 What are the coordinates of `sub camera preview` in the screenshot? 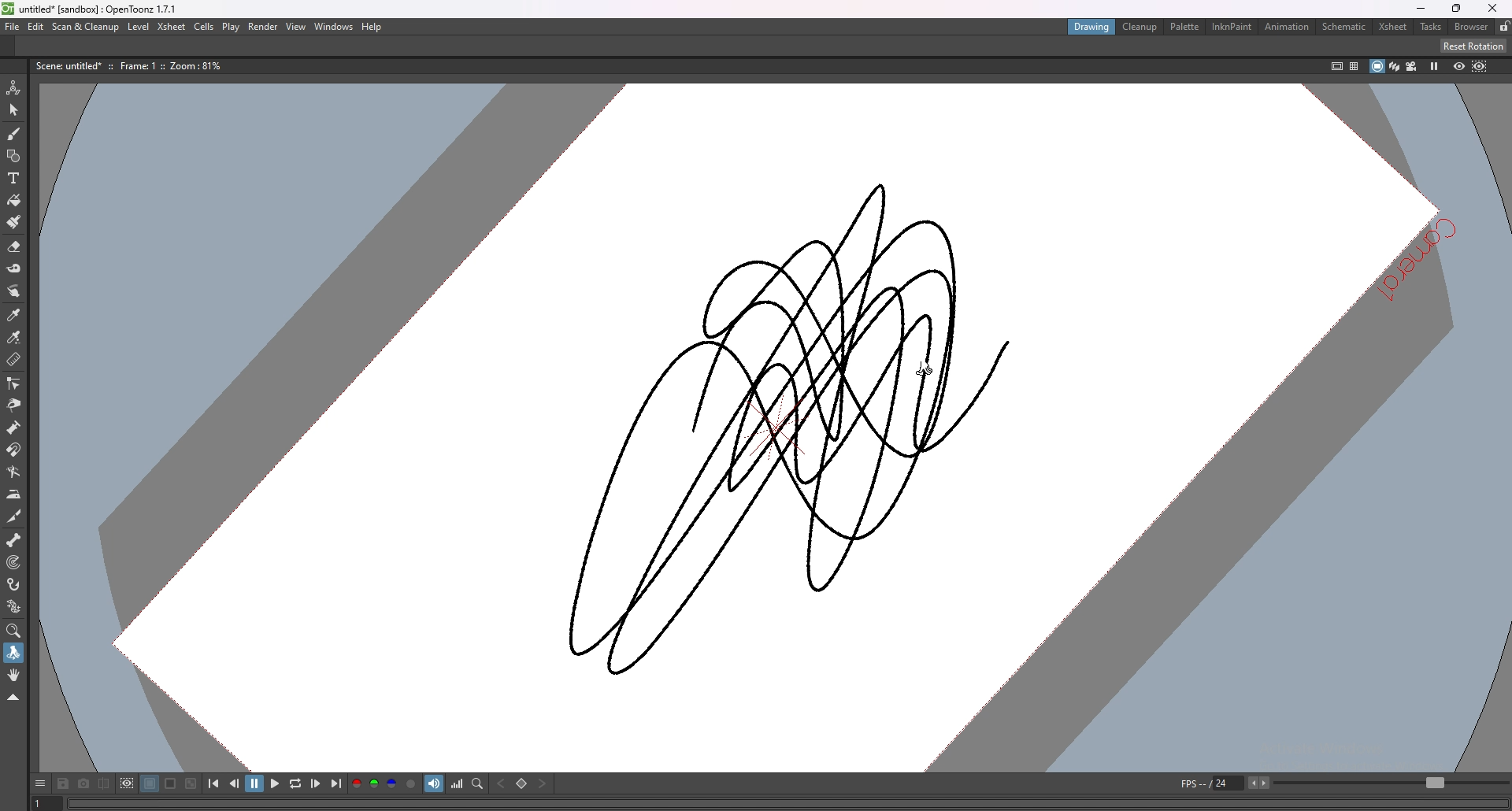 It's located at (1480, 66).